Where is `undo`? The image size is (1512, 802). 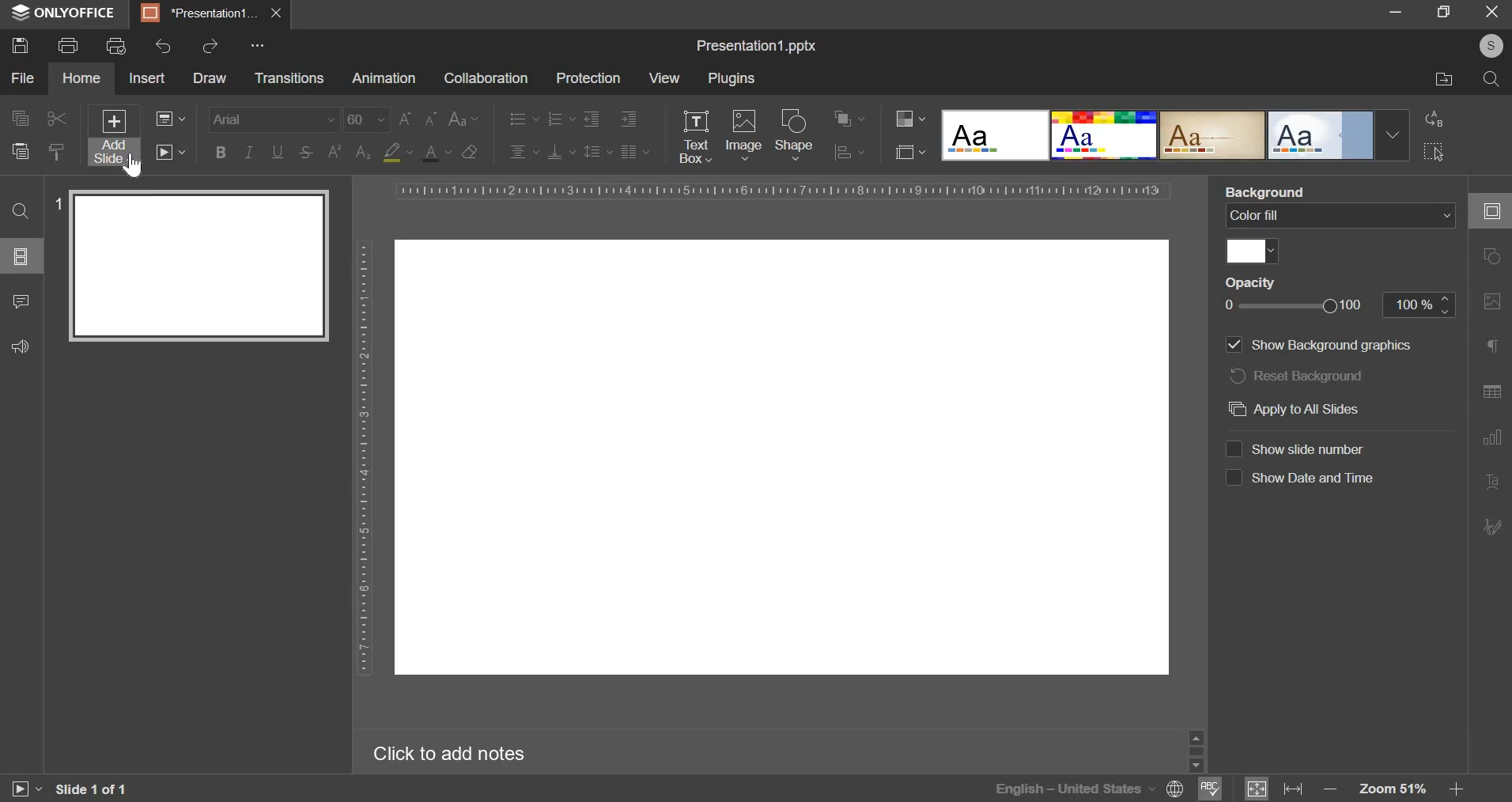 undo is located at coordinates (164, 46).